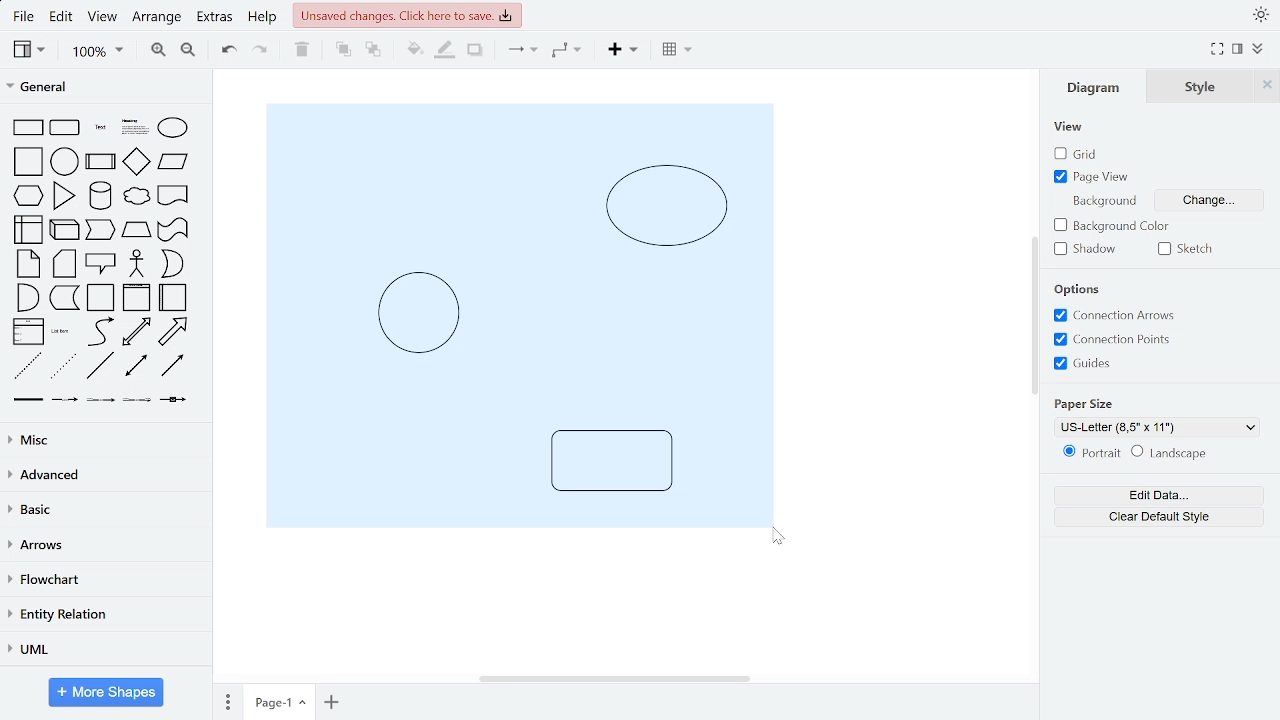 This screenshot has width=1280, height=720. Describe the element at coordinates (370, 50) in the screenshot. I see `to back` at that location.